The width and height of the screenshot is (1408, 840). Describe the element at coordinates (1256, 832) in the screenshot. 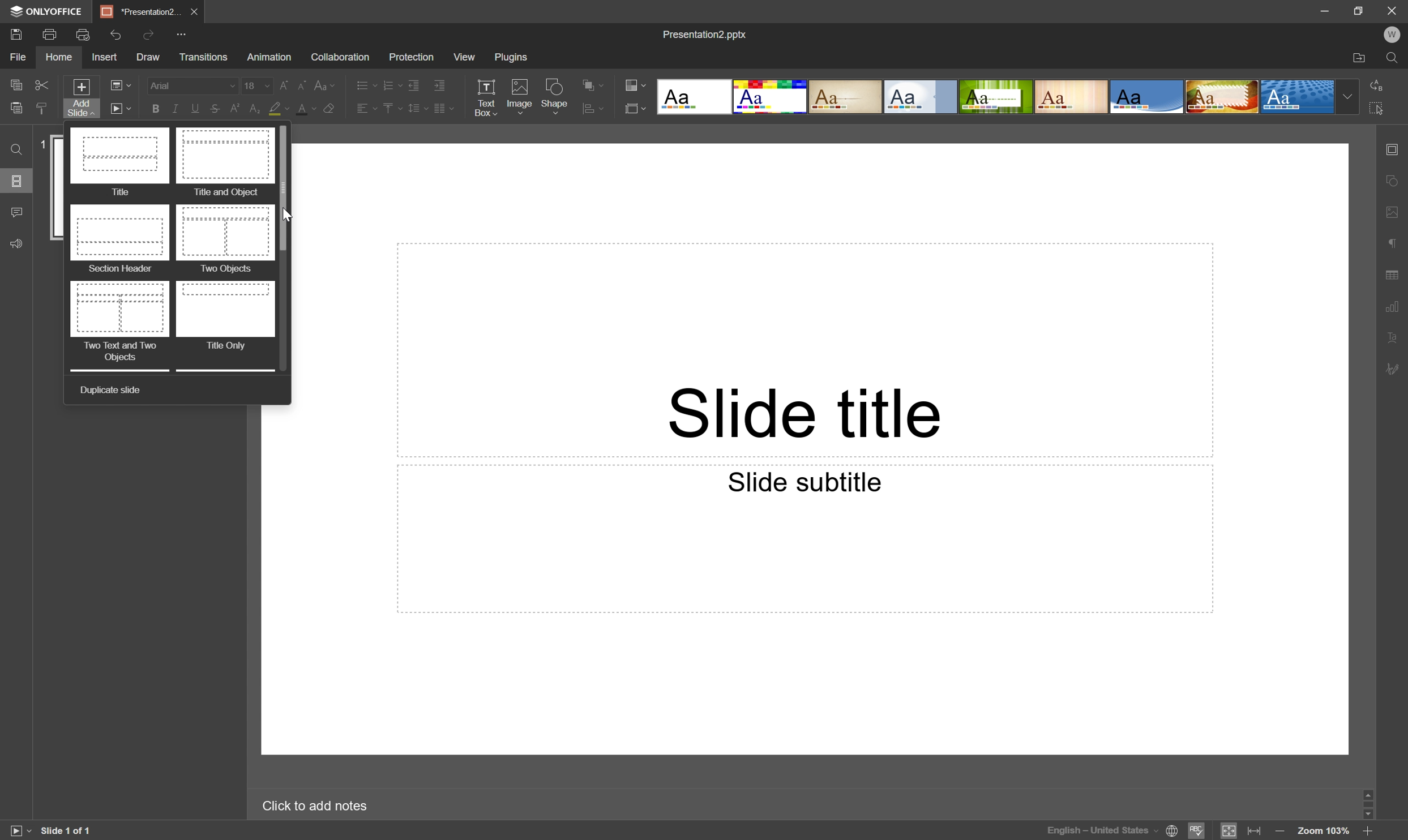

I see `Fit to width` at that location.